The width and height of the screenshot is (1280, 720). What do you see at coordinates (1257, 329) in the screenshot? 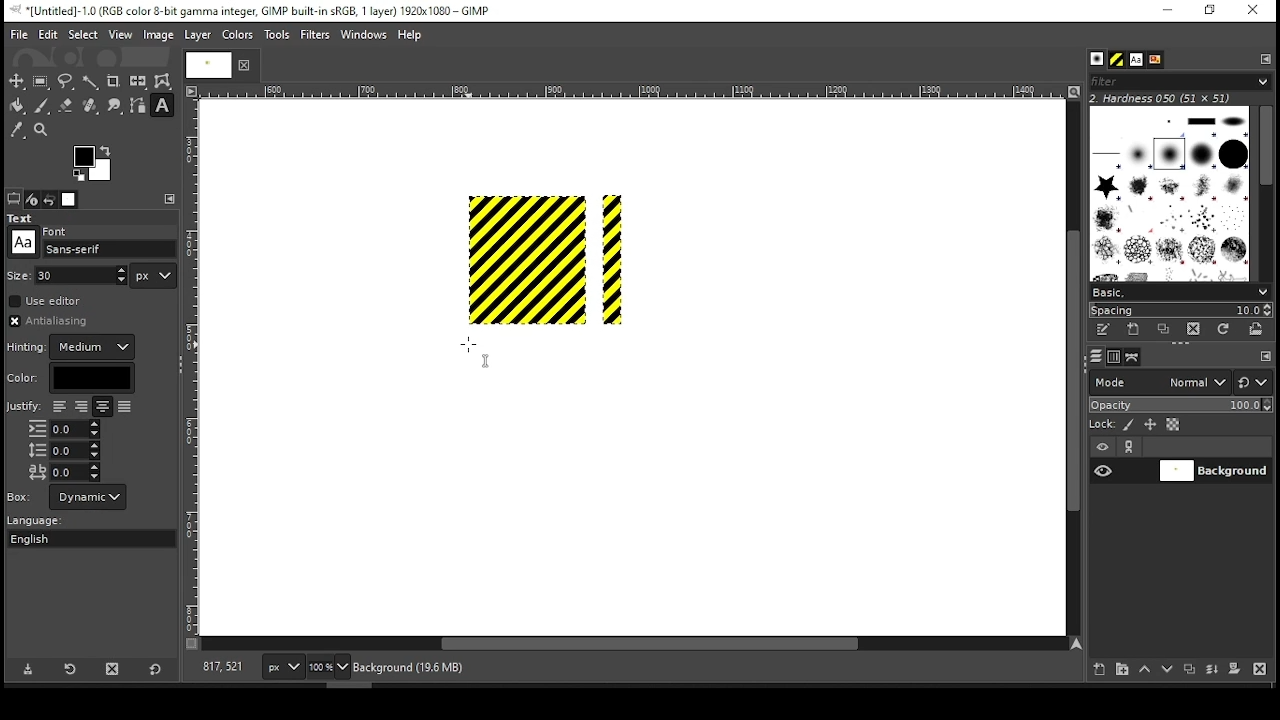
I see `open brush as image` at bounding box center [1257, 329].